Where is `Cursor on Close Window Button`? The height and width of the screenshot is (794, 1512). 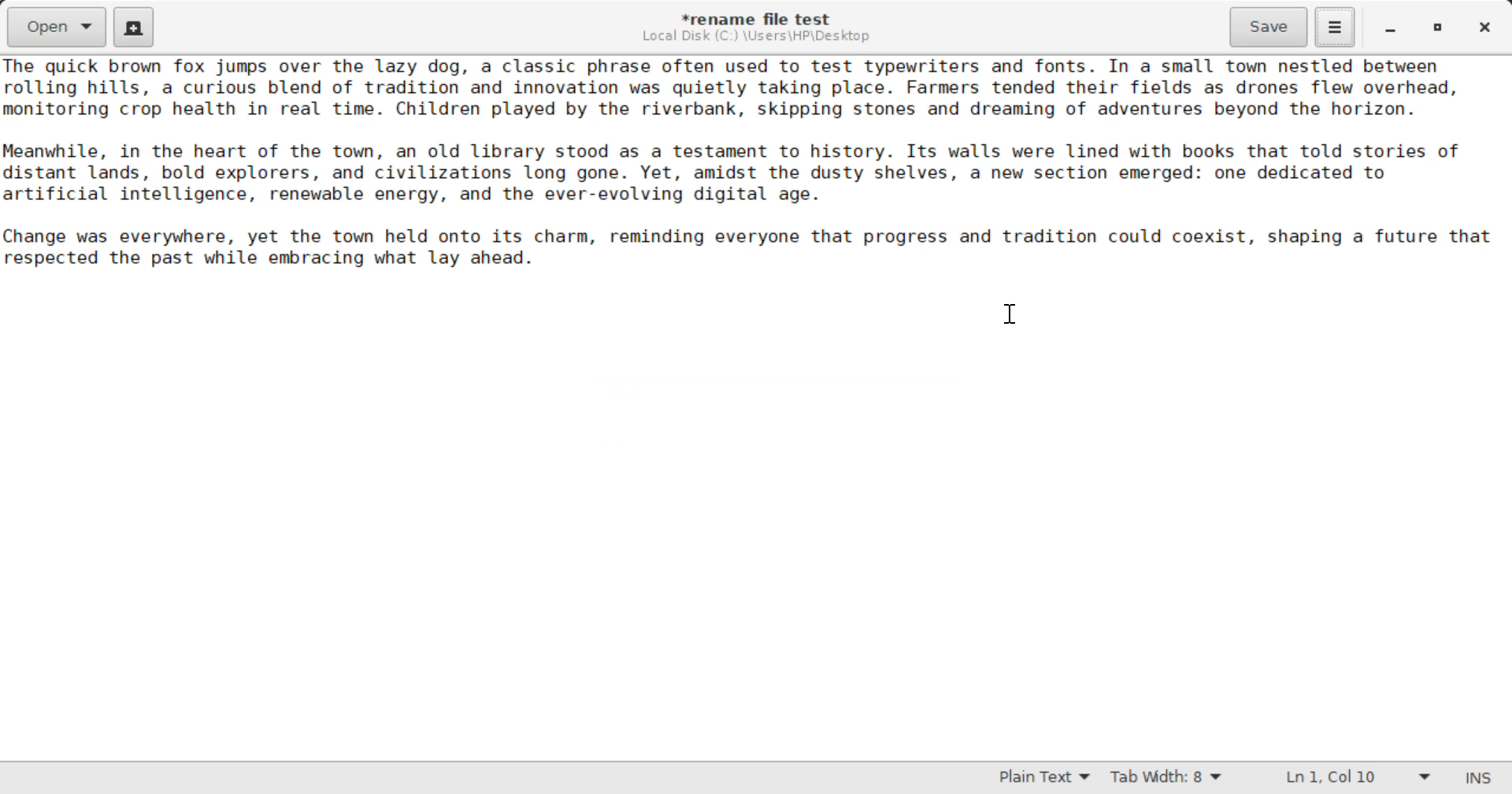
Cursor on Close Window Button is located at coordinates (1010, 313).